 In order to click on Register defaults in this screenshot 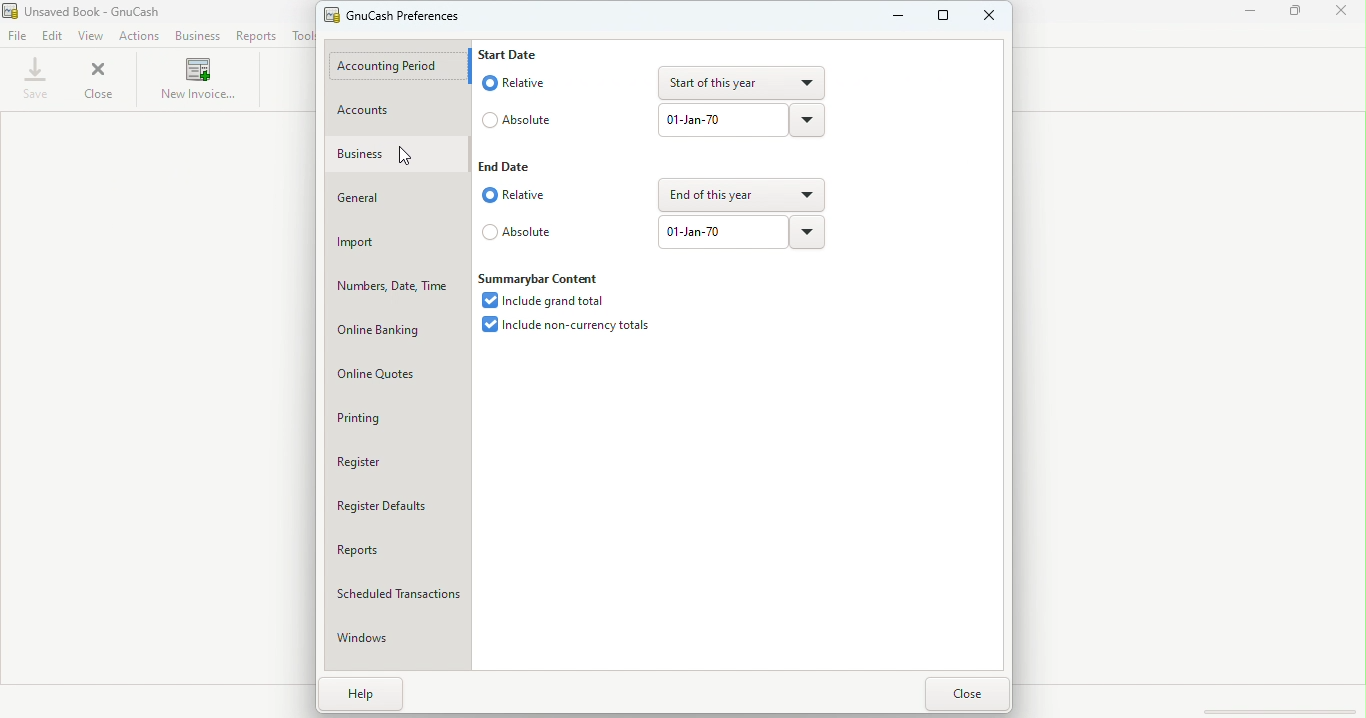, I will do `click(399, 508)`.